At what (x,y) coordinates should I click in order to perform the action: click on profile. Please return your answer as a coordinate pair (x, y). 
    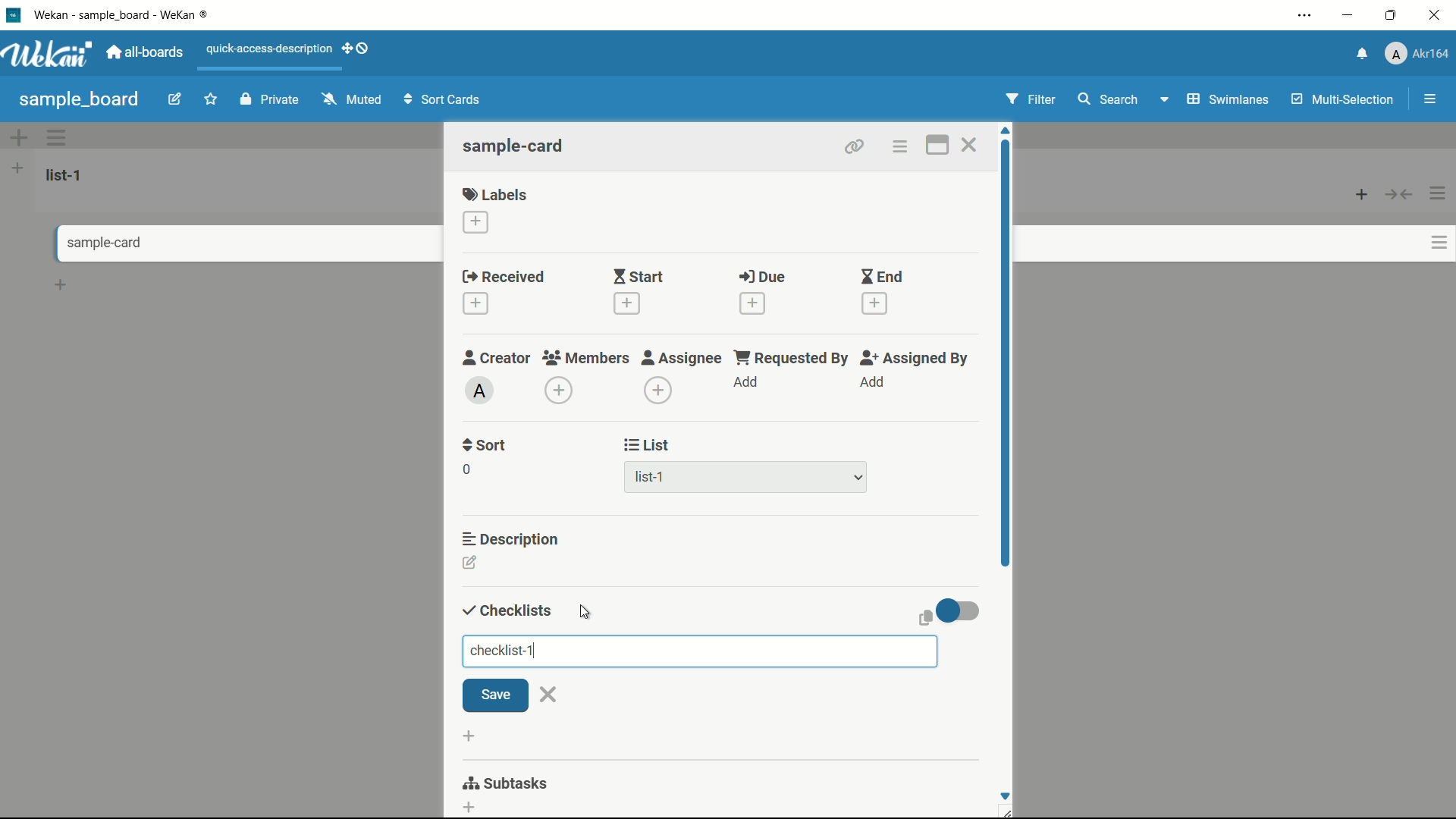
    Looking at the image, I should click on (1417, 55).